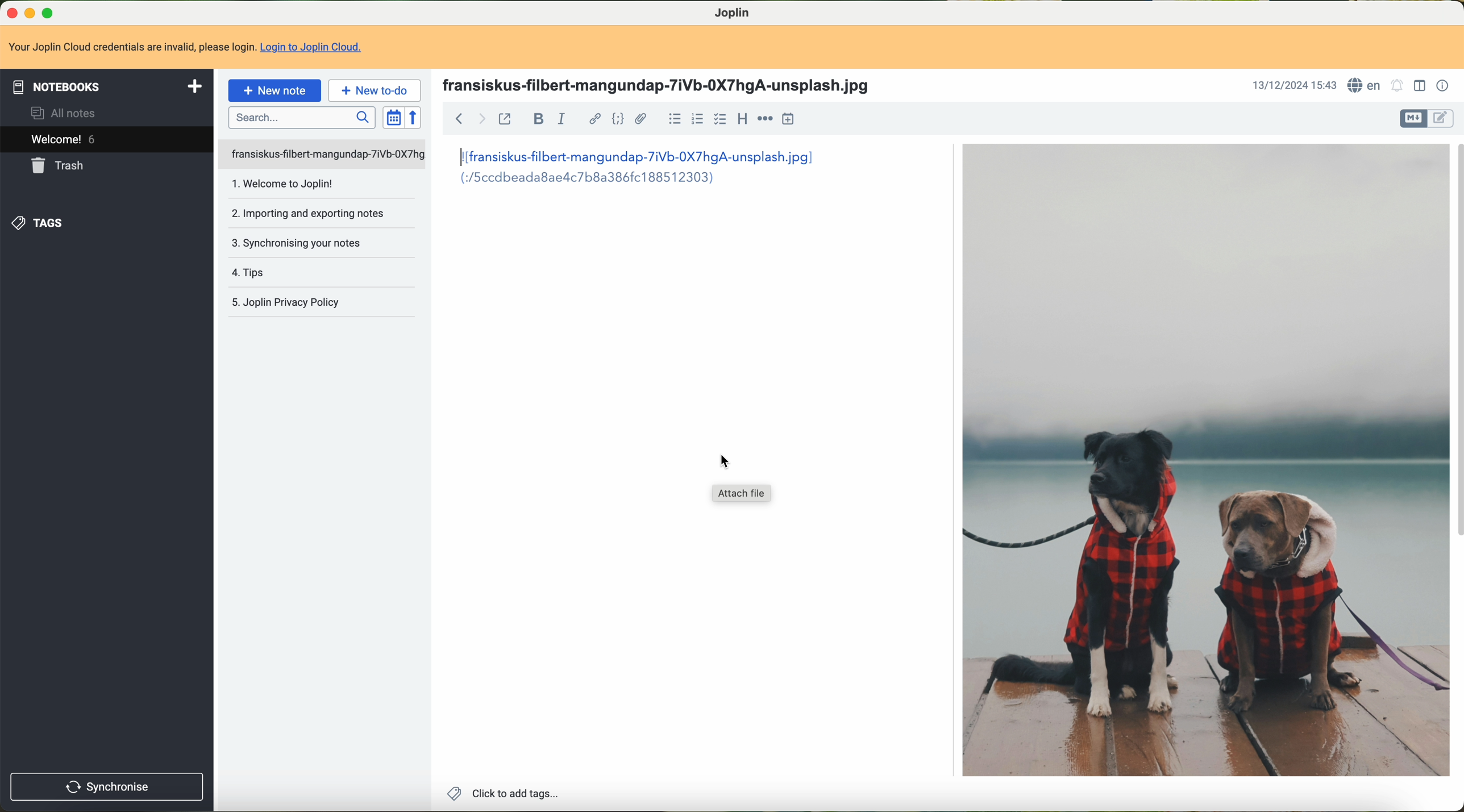 The width and height of the screenshot is (1464, 812). What do you see at coordinates (507, 794) in the screenshot?
I see `click add to tags` at bounding box center [507, 794].